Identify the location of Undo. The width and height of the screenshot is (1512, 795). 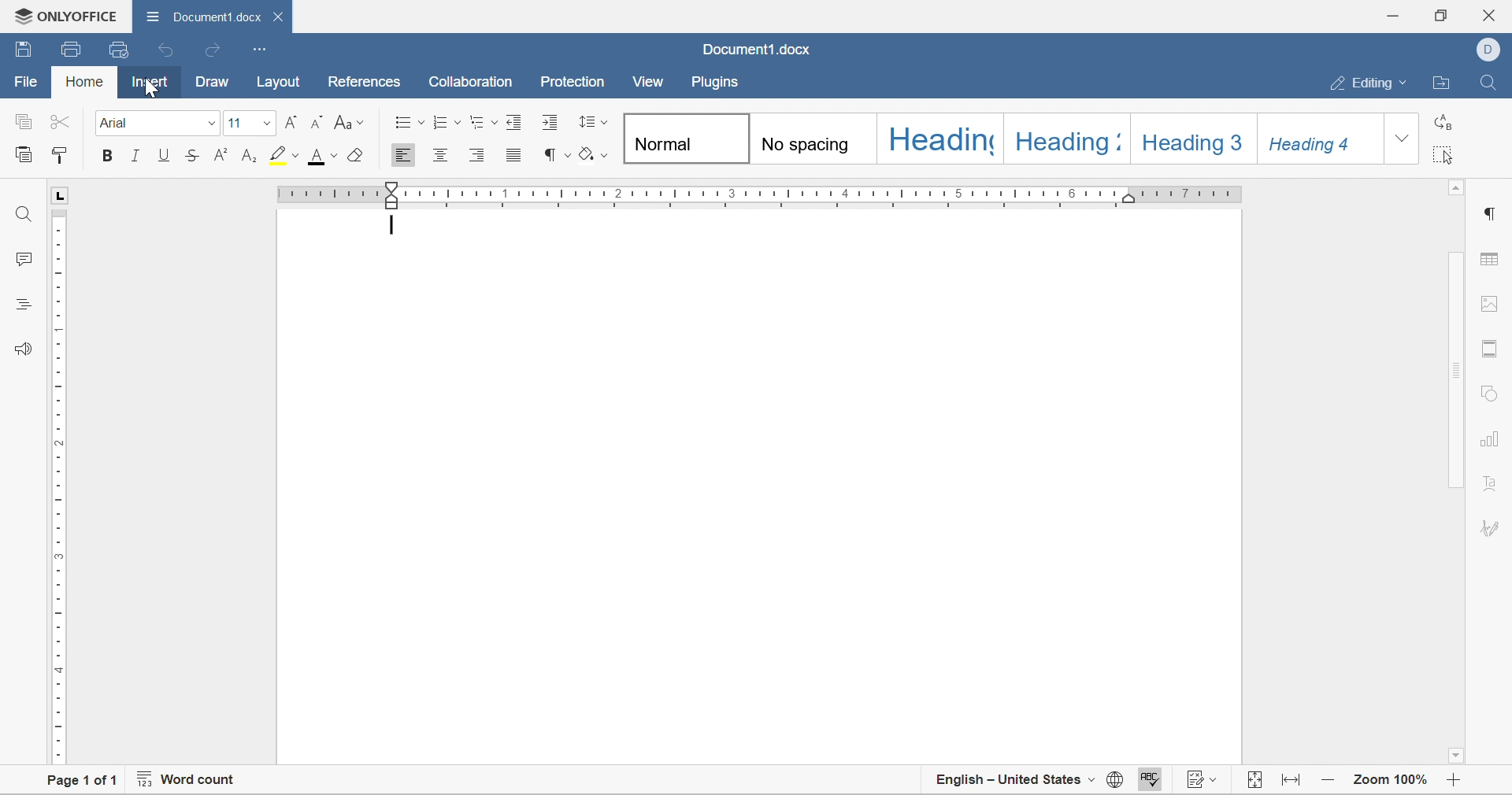
(168, 50).